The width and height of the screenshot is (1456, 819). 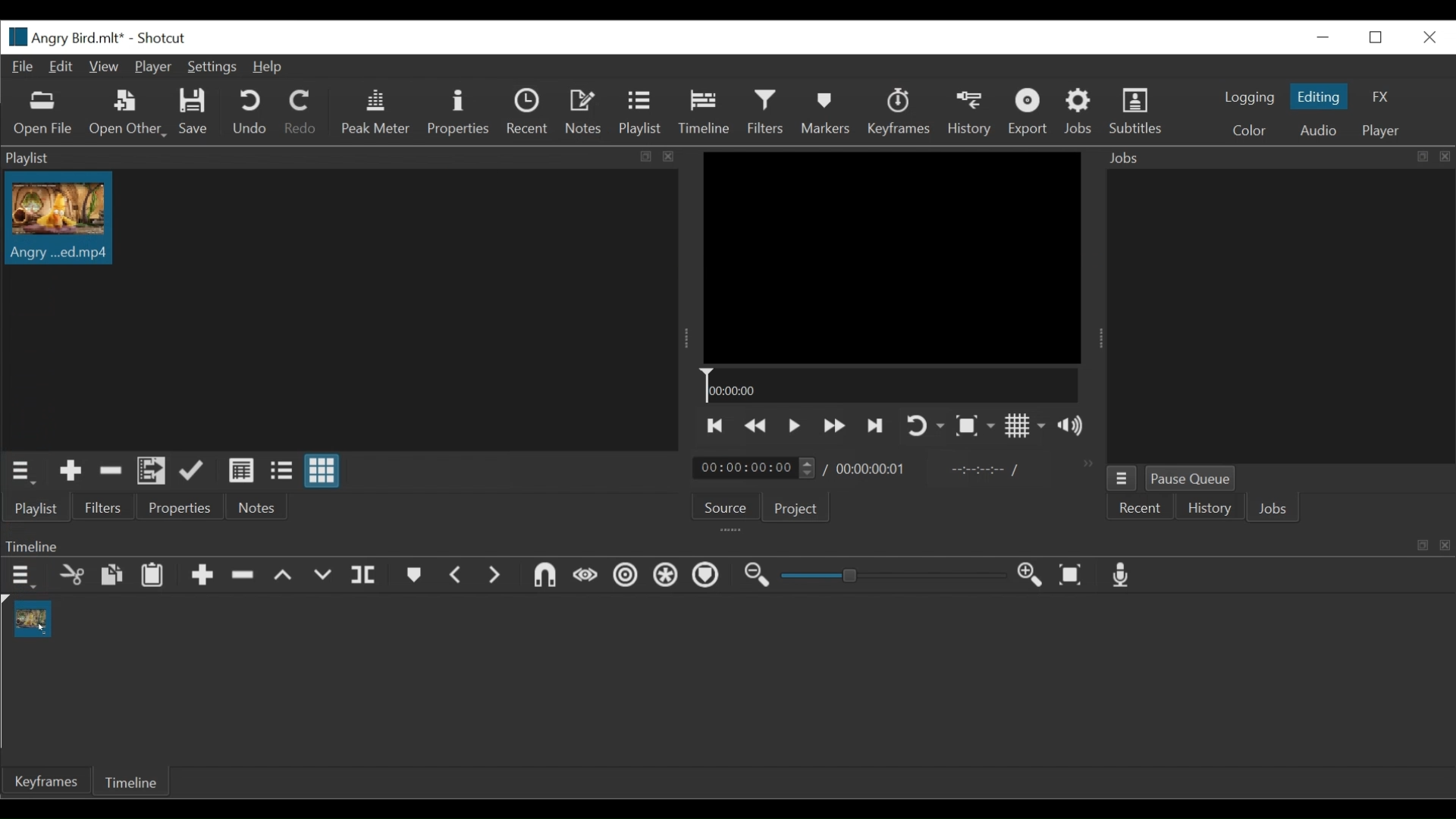 I want to click on Skip to the previous point, so click(x=715, y=425).